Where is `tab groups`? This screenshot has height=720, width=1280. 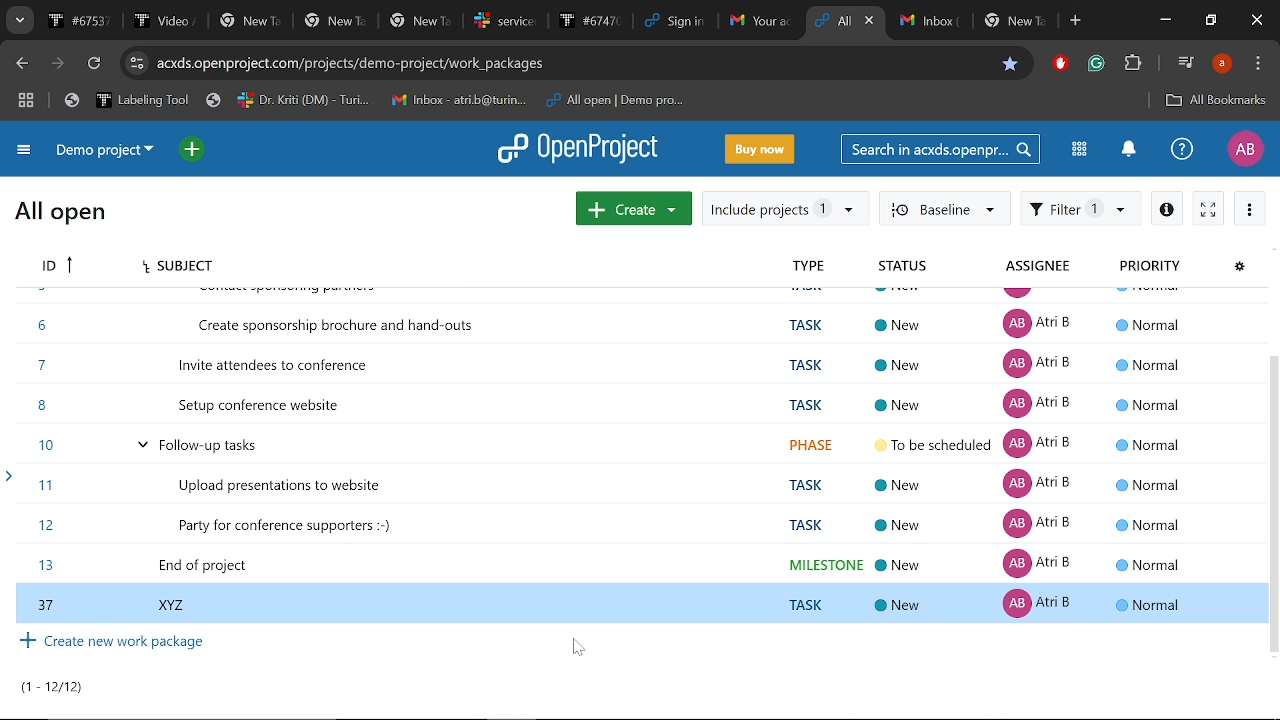
tab groups is located at coordinates (24, 100).